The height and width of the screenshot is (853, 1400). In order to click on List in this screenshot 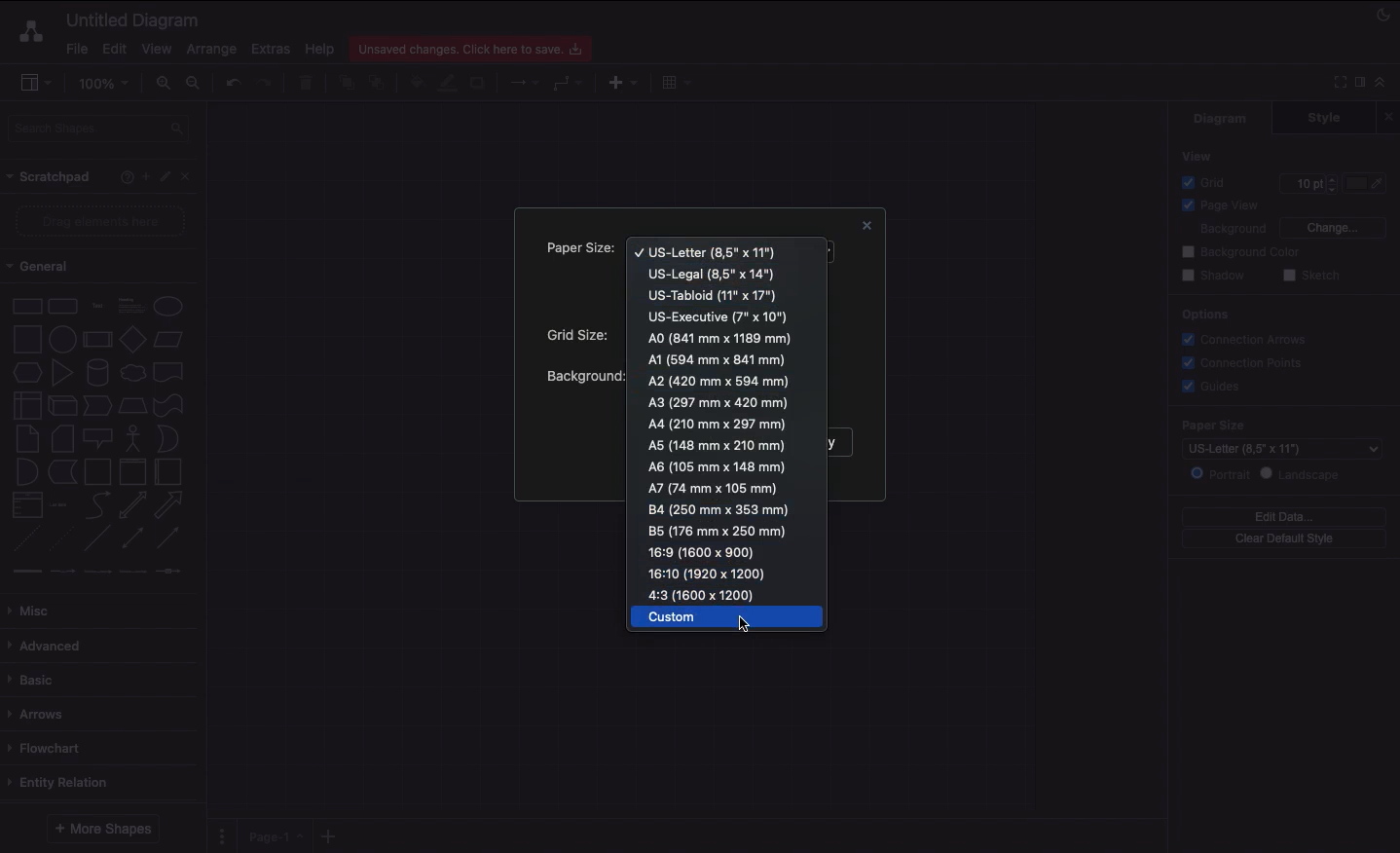, I will do `click(25, 505)`.